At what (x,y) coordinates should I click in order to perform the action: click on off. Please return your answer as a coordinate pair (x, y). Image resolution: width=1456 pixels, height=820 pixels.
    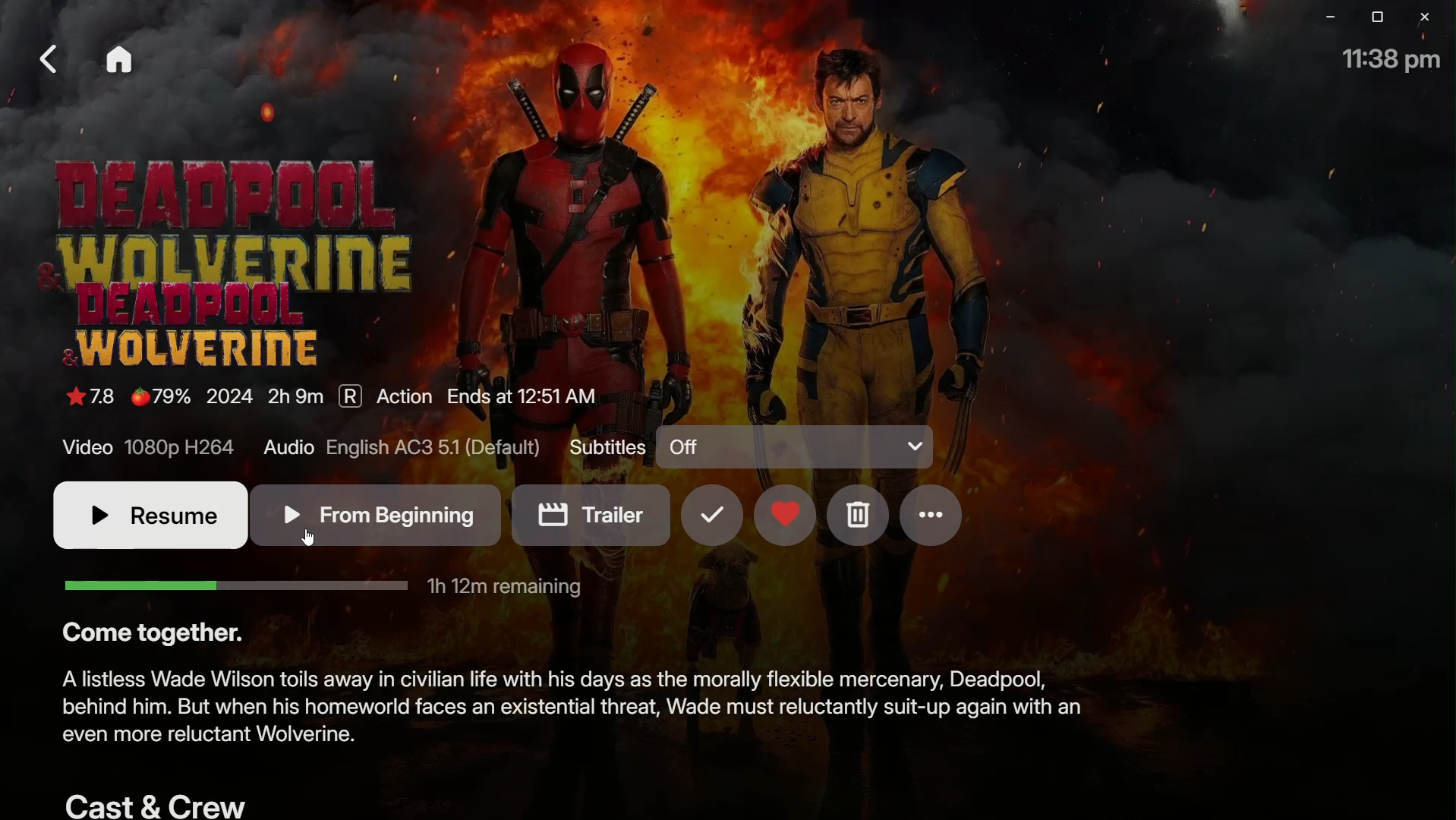
    Looking at the image, I should click on (799, 446).